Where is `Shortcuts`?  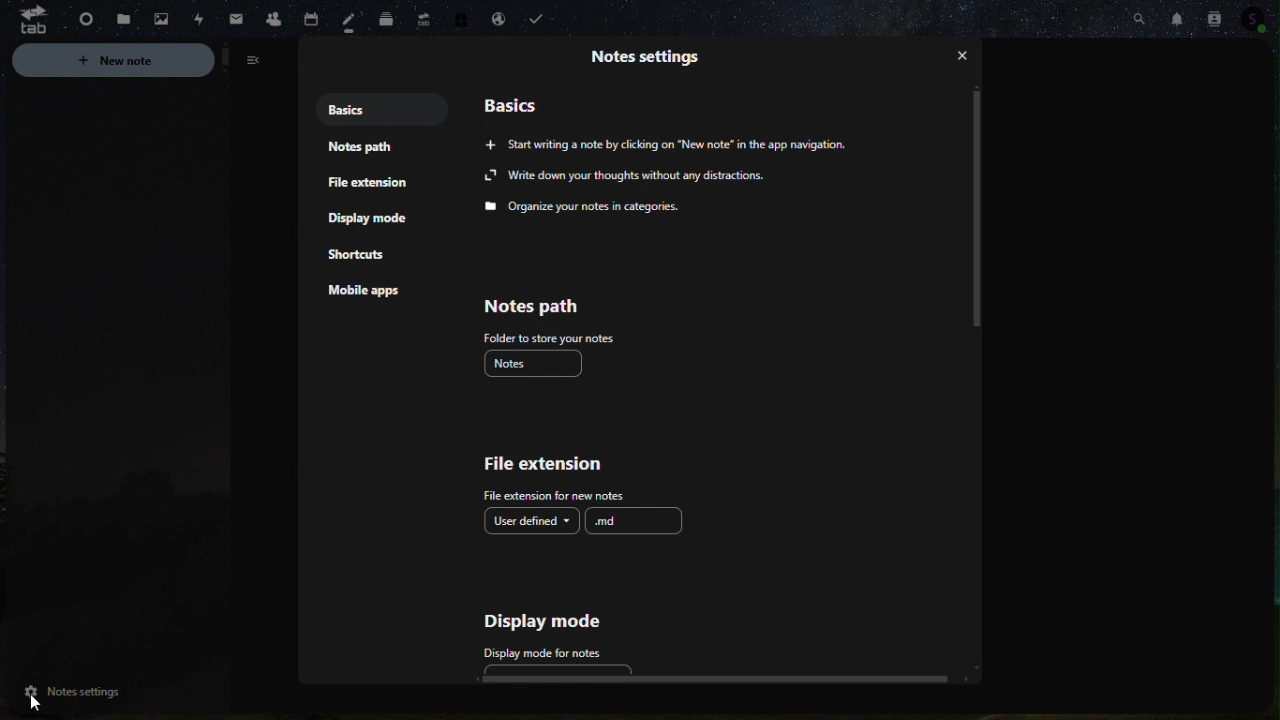 Shortcuts is located at coordinates (361, 251).